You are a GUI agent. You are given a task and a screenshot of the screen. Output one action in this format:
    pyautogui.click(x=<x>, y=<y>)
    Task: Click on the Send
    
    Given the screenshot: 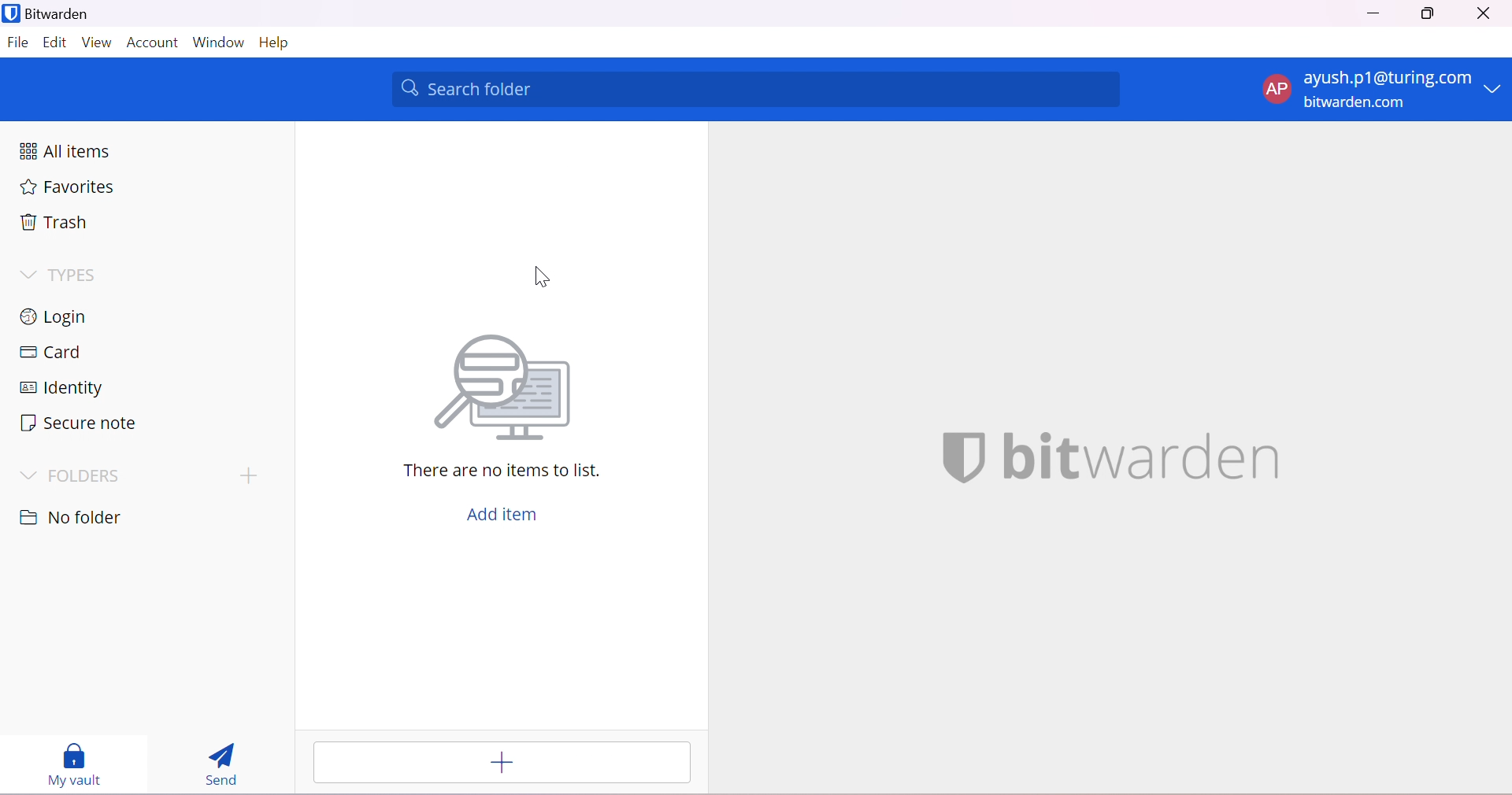 What is the action you would take?
    pyautogui.click(x=220, y=764)
    